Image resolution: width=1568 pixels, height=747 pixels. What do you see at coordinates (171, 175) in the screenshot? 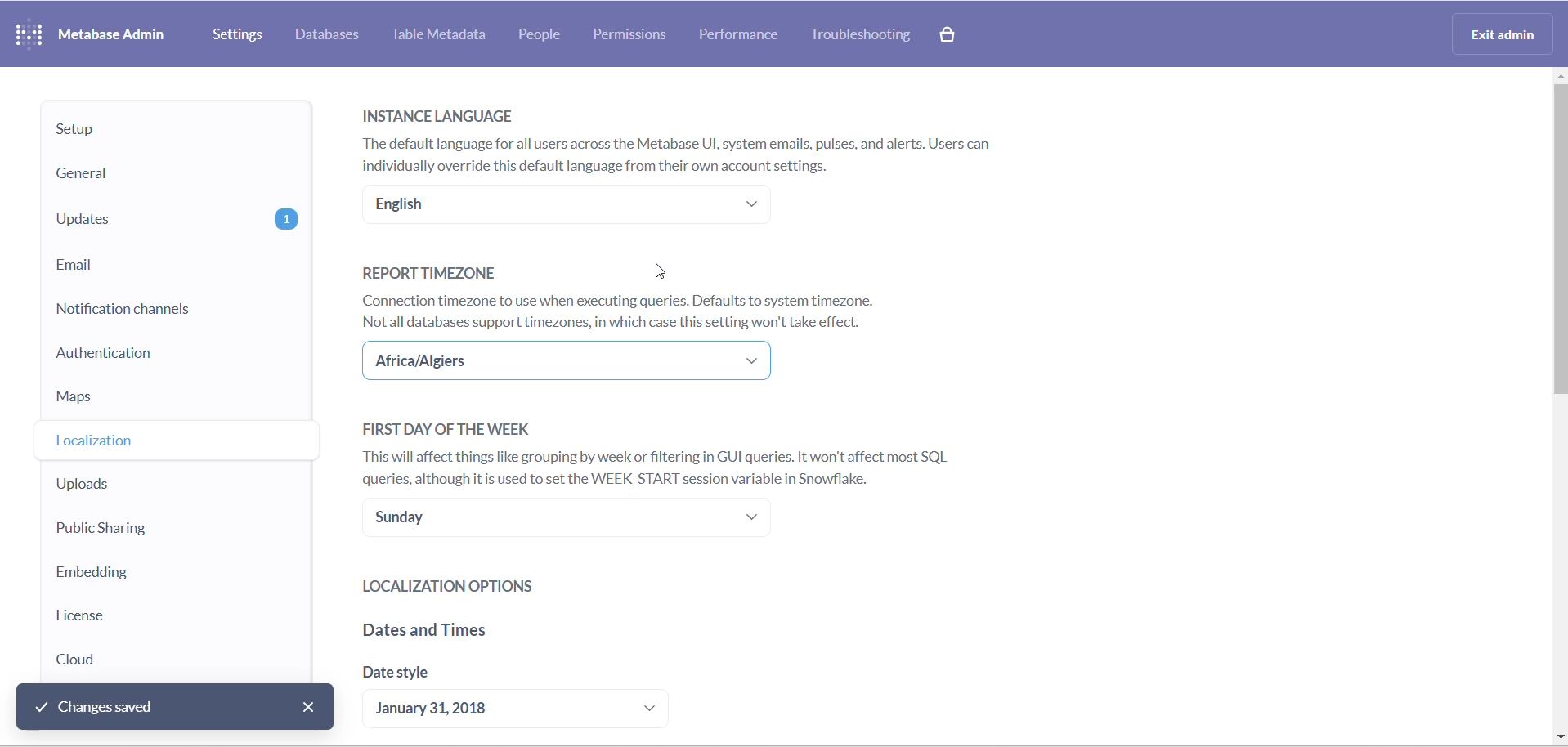
I see `GENERAL` at bounding box center [171, 175].